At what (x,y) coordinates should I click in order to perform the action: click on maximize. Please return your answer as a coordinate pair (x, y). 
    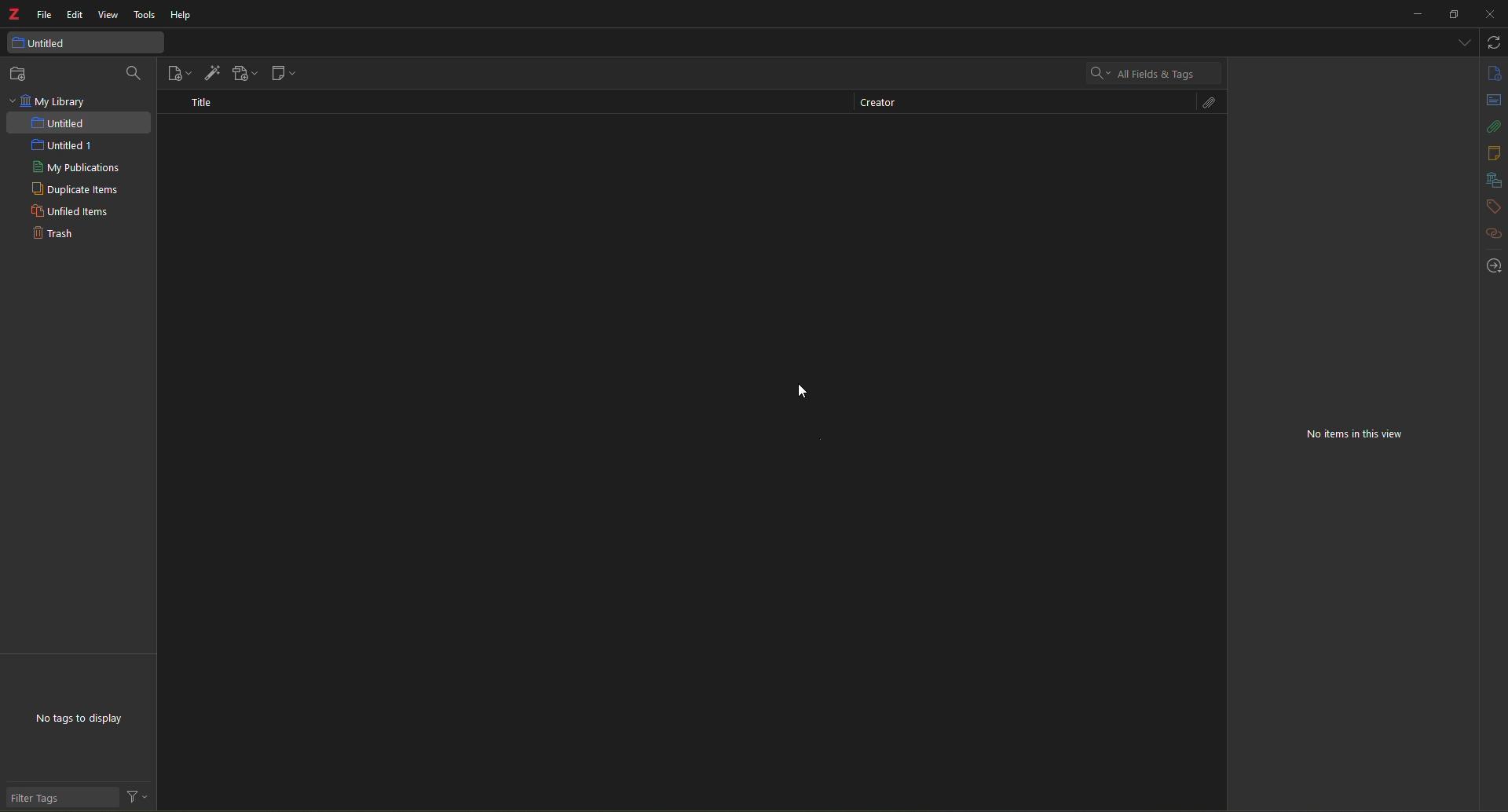
    Looking at the image, I should click on (1451, 15).